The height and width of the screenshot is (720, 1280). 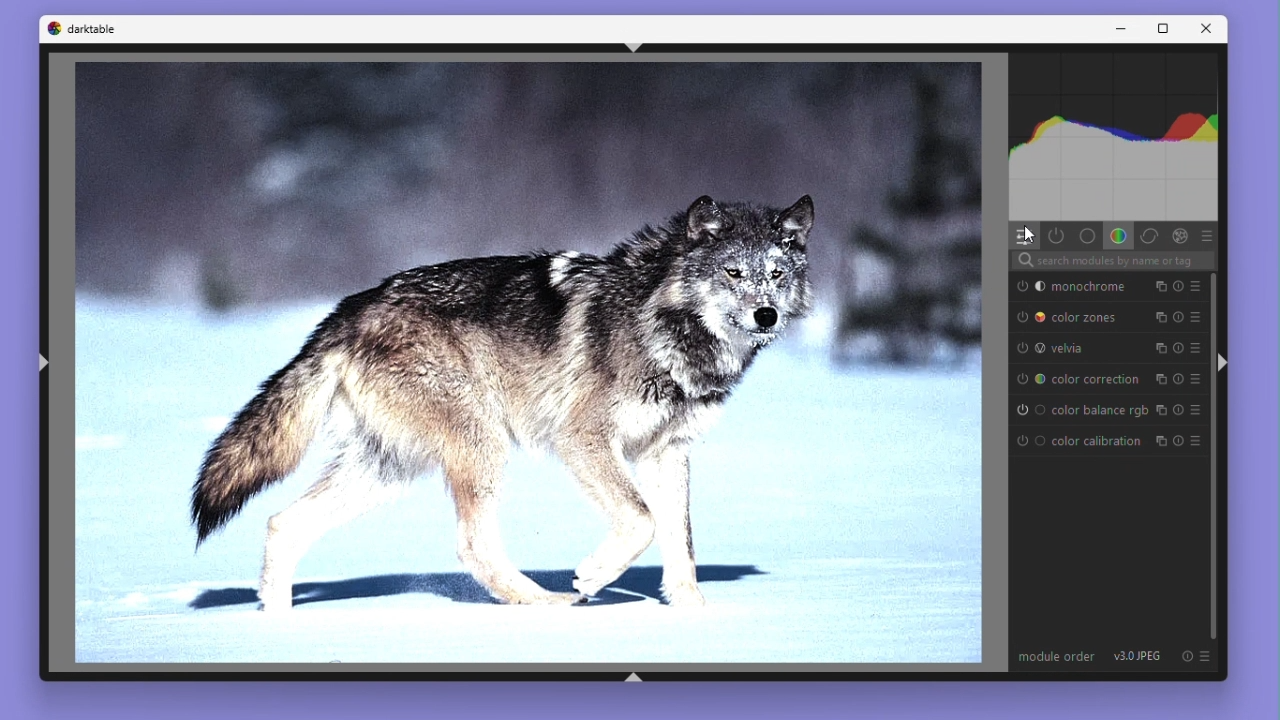 I want to click on presets, so click(x=1198, y=441).